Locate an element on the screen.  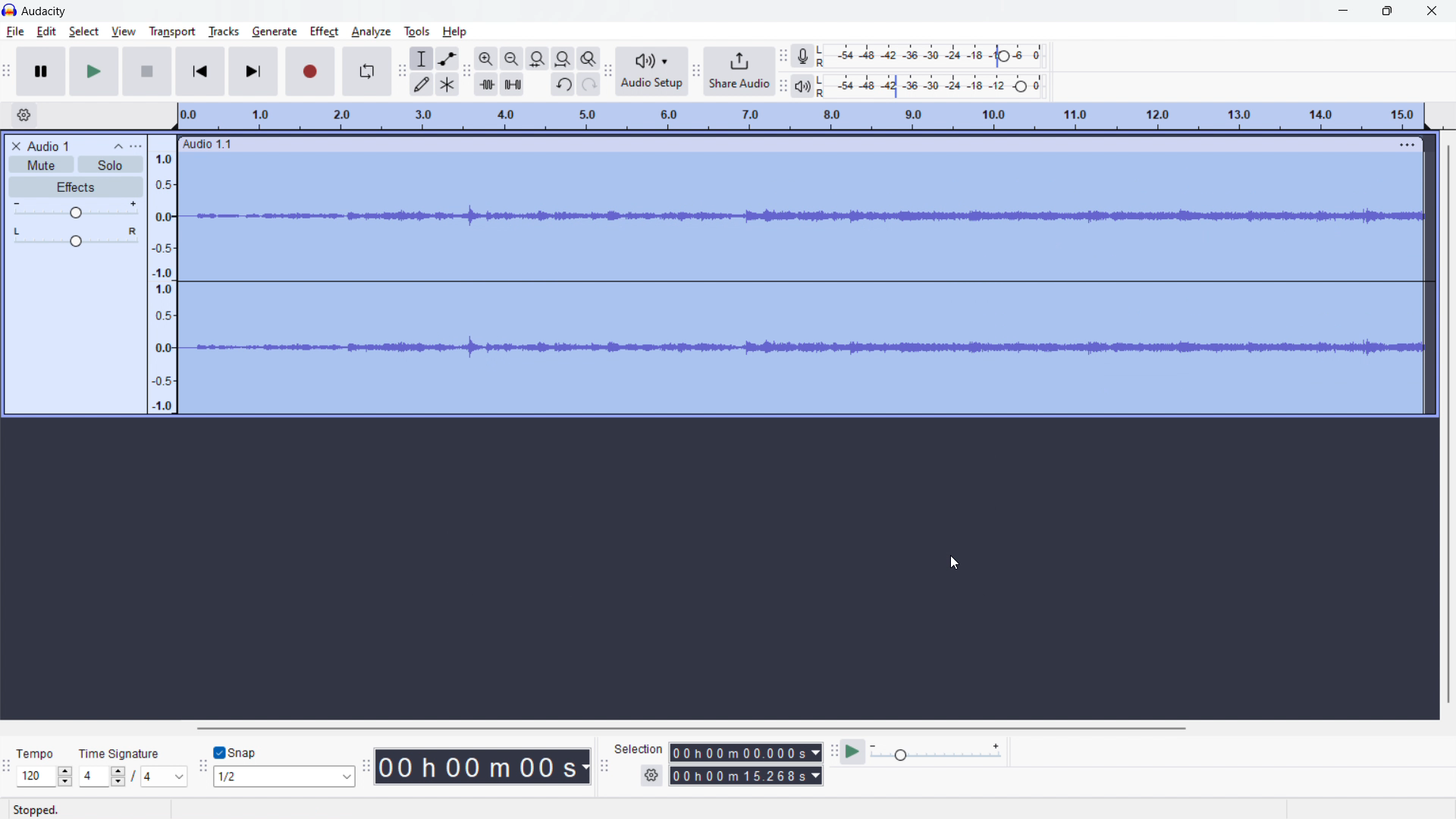
cursor is located at coordinates (949, 562).